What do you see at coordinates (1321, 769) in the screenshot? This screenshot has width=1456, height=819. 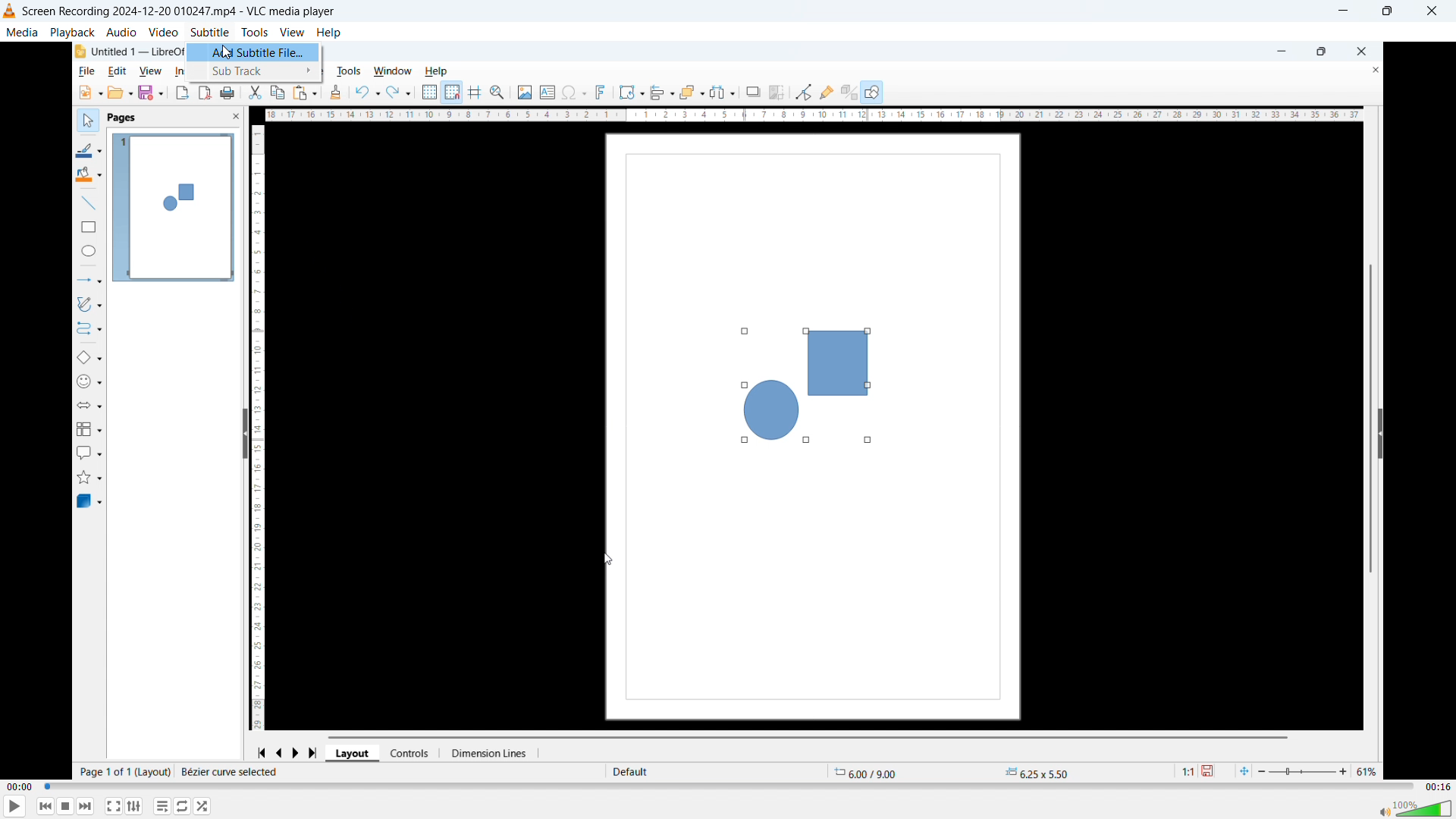 I see `zoom` at bounding box center [1321, 769].